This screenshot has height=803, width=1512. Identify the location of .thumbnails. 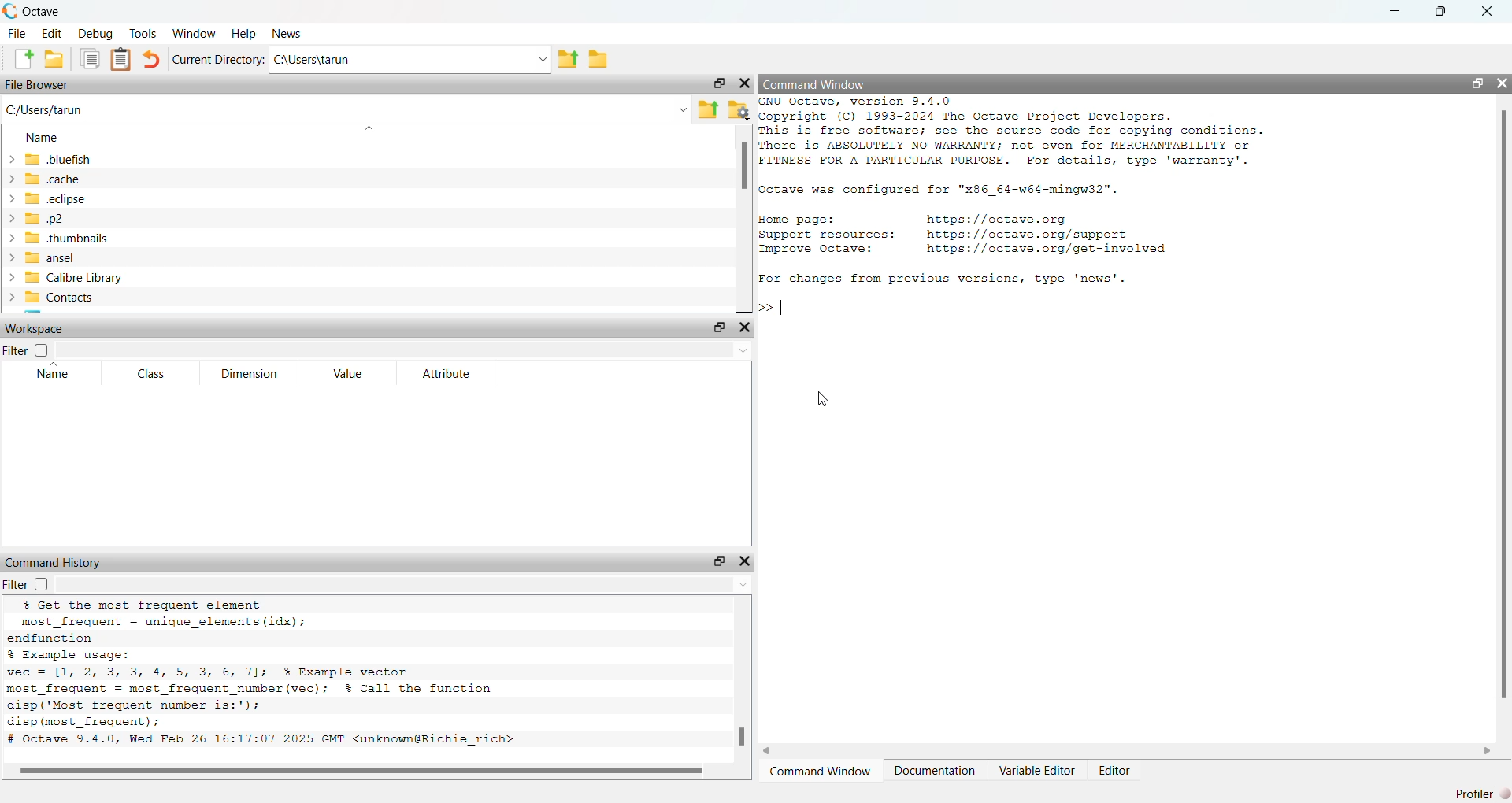
(69, 239).